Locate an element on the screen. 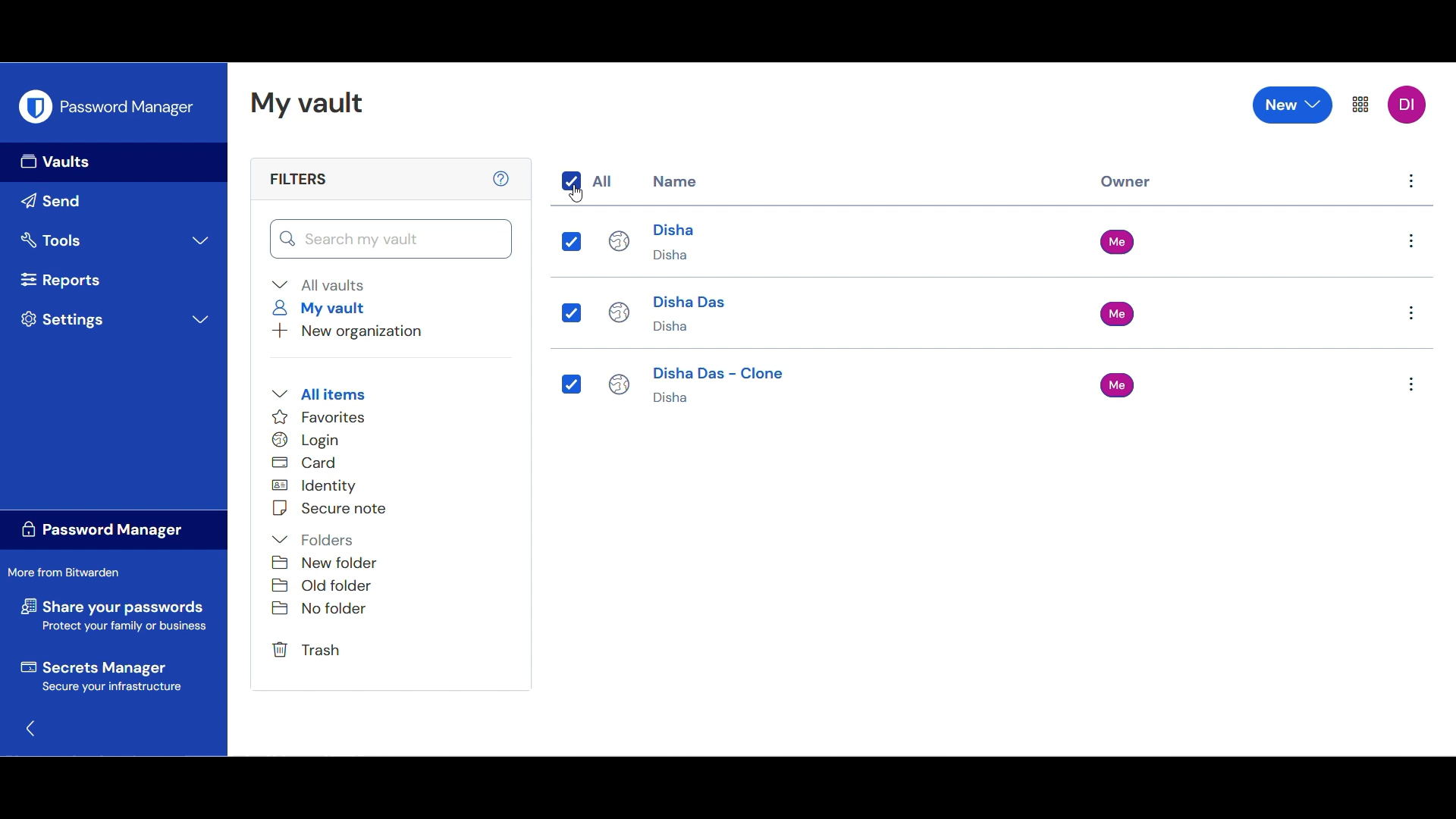 Image resolution: width=1456 pixels, height=819 pixels. Expand tools is located at coordinates (115, 240).